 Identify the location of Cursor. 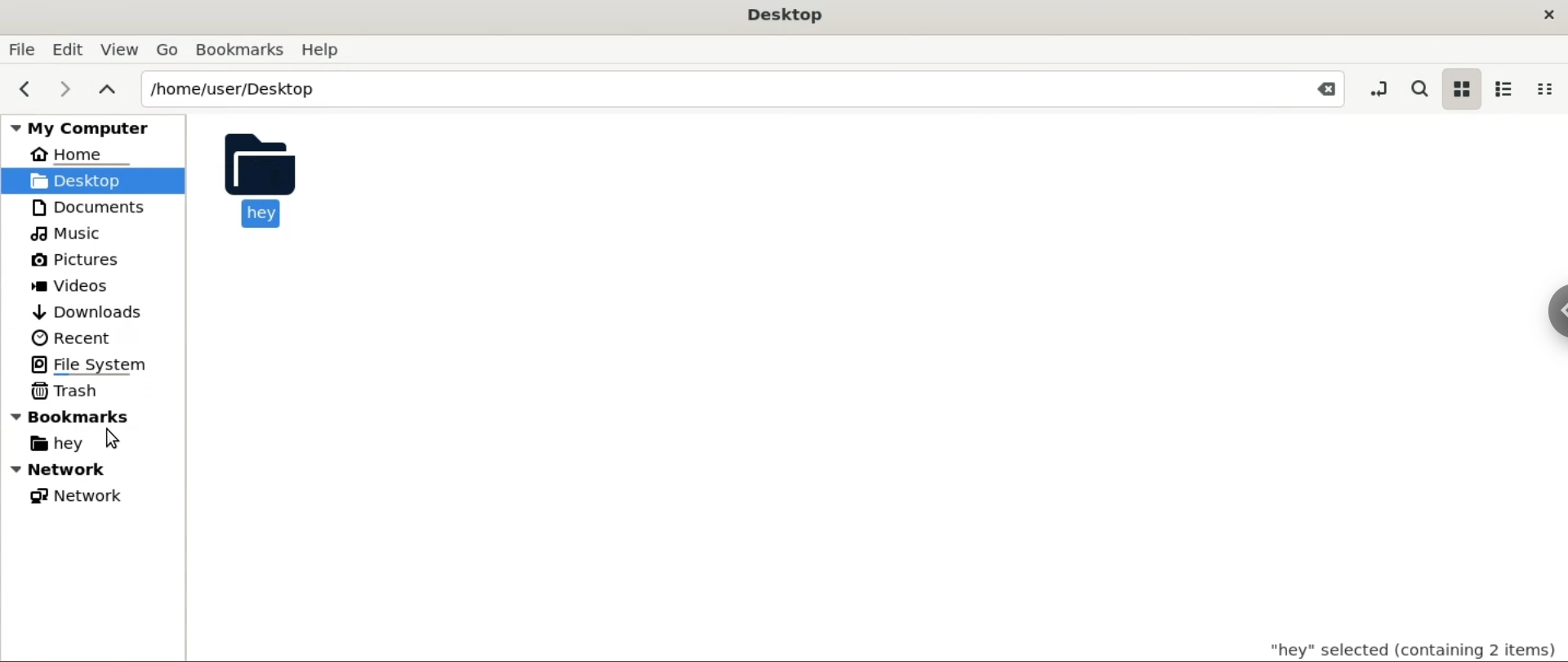
(109, 441).